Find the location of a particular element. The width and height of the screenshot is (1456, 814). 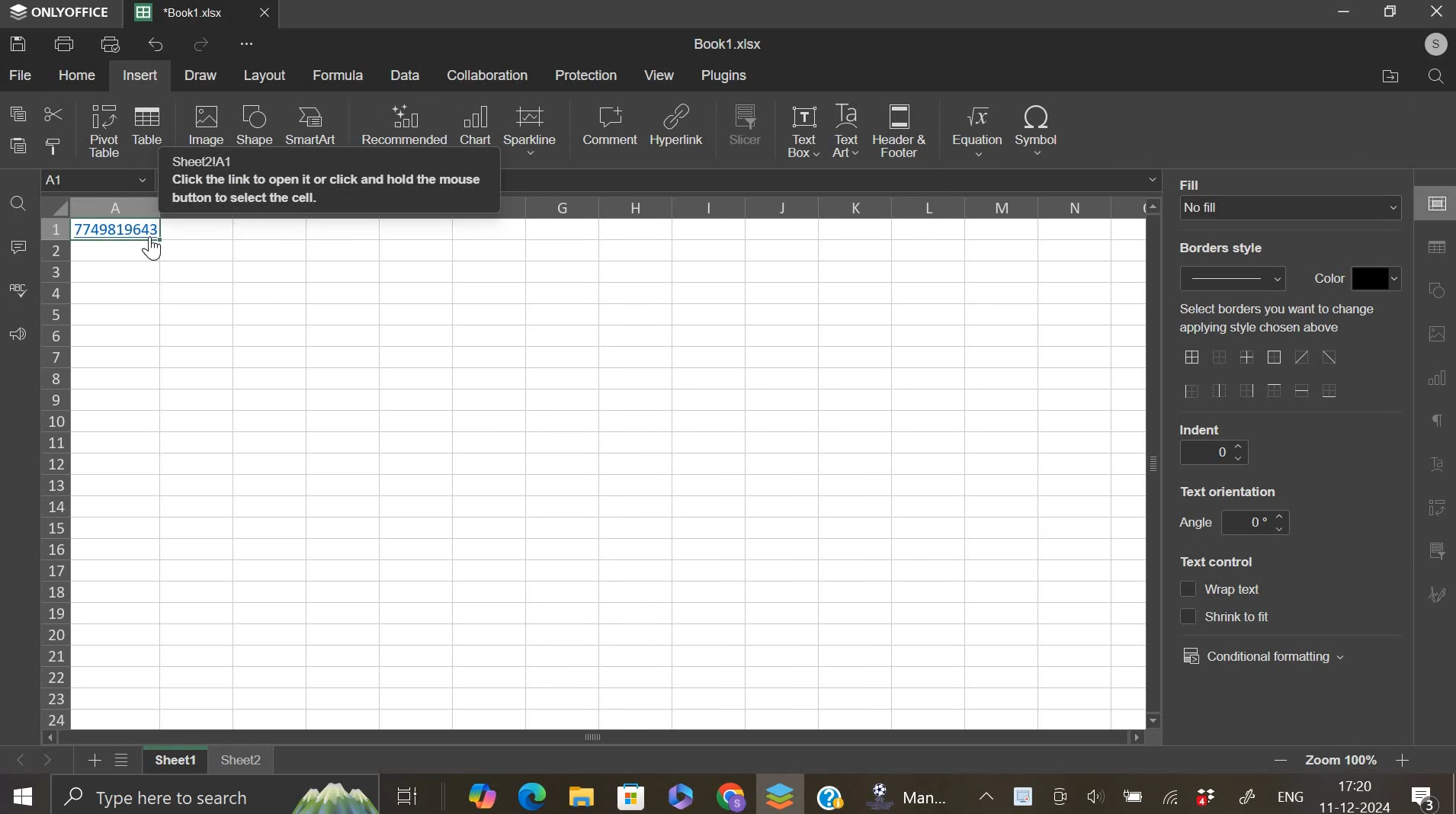

file is located at coordinates (21, 75).